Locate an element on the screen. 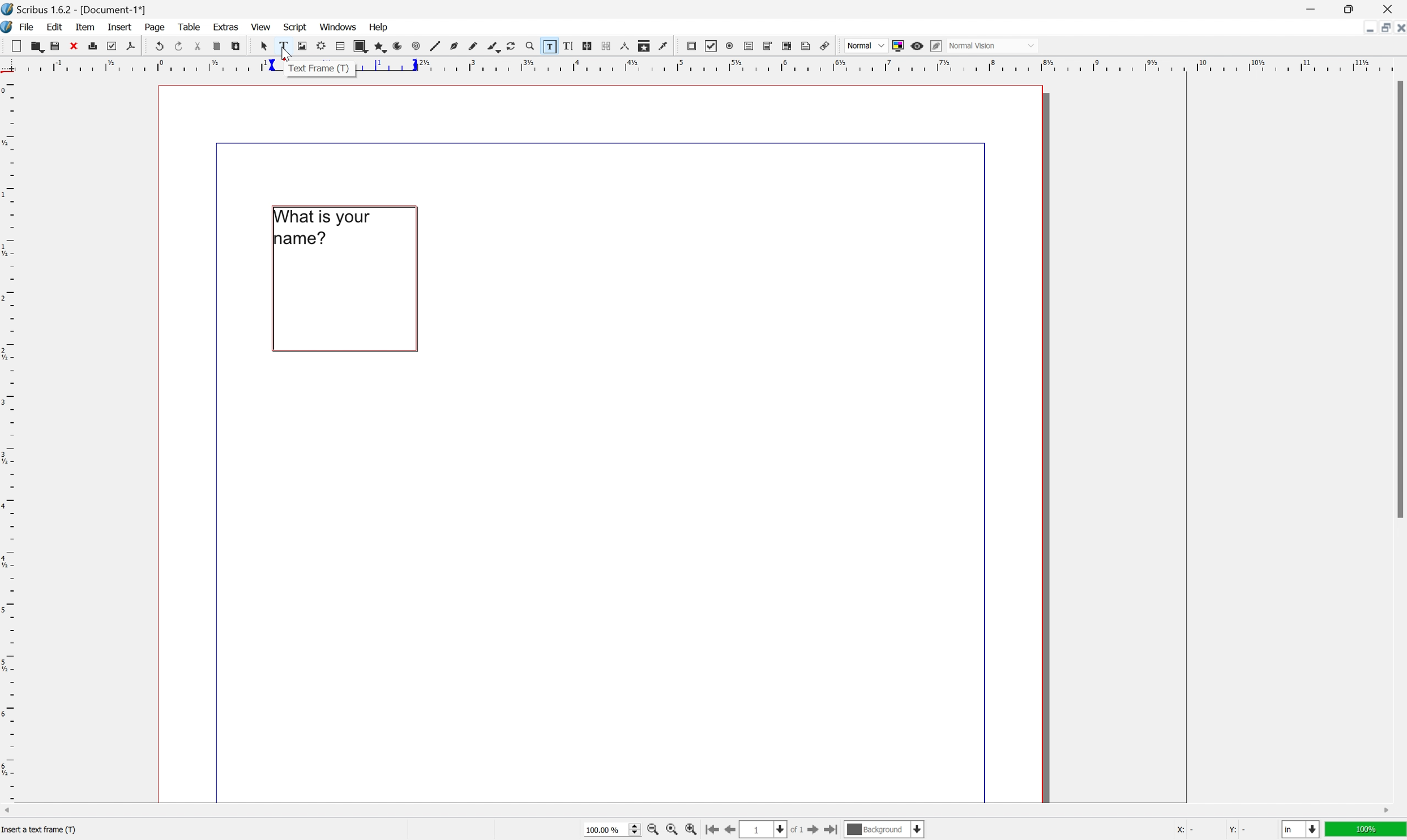 The image size is (1407, 840). script is located at coordinates (296, 26).